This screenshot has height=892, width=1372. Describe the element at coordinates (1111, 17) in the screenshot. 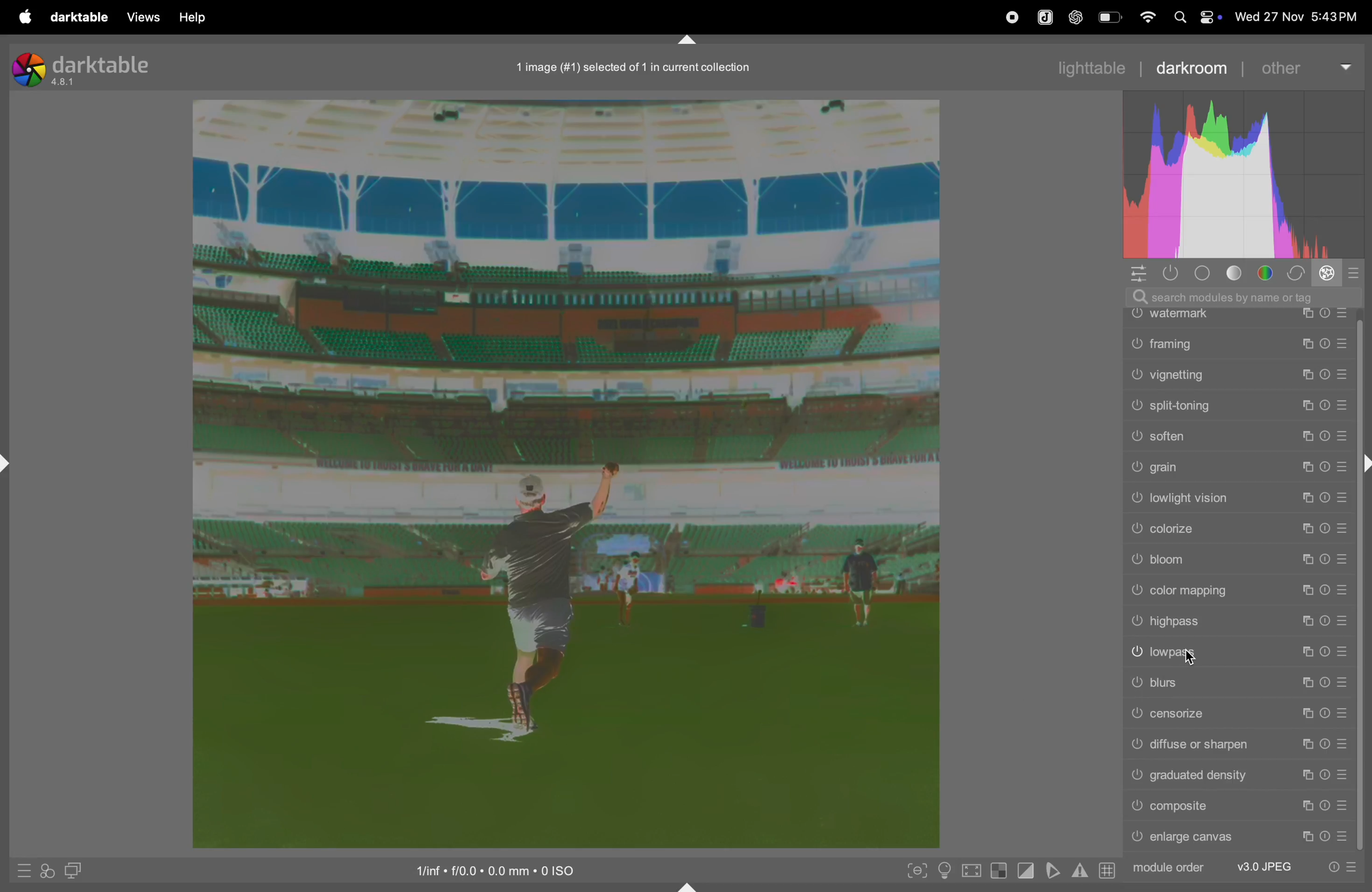

I see `battery` at that location.